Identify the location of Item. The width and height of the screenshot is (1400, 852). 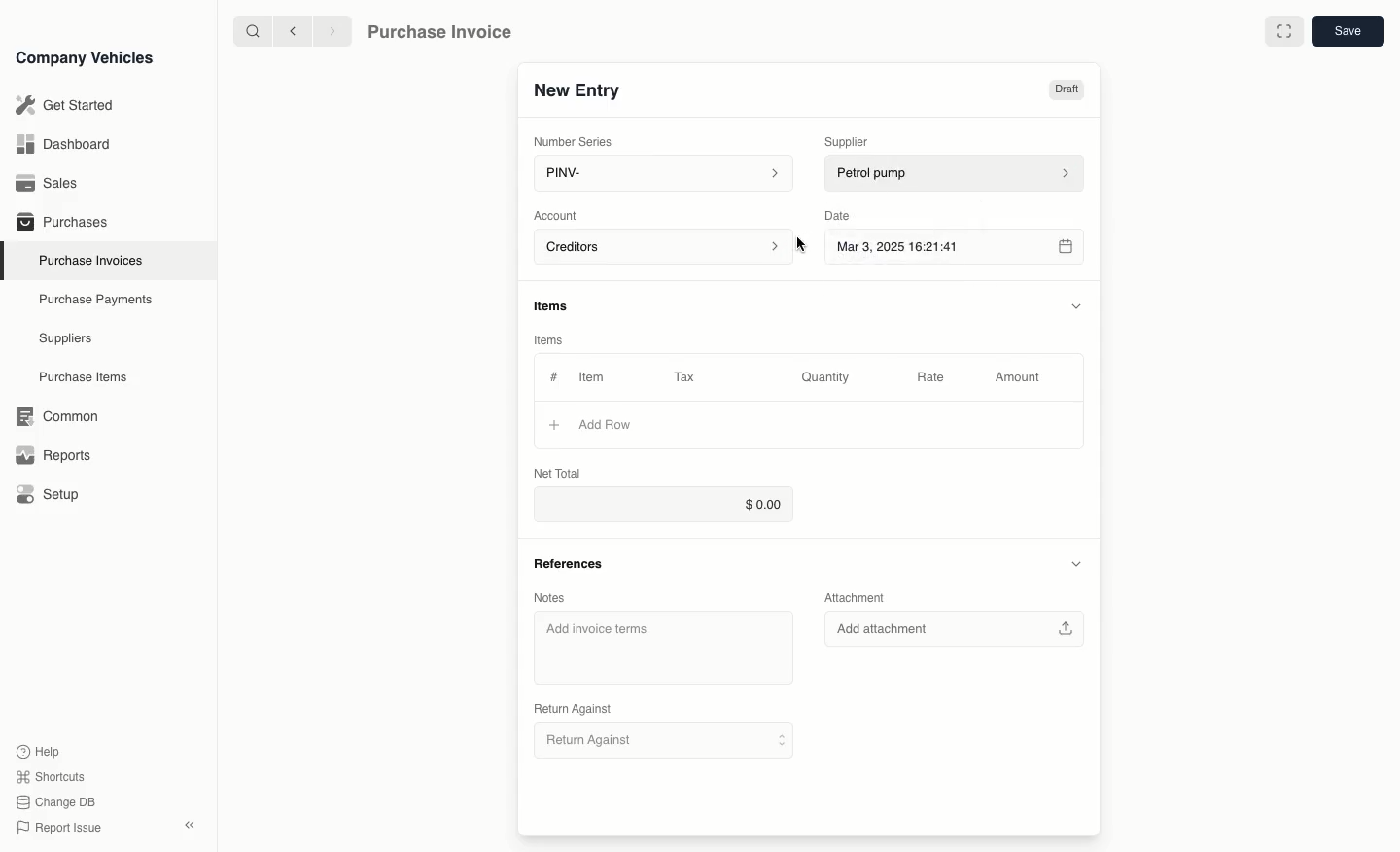
(590, 379).